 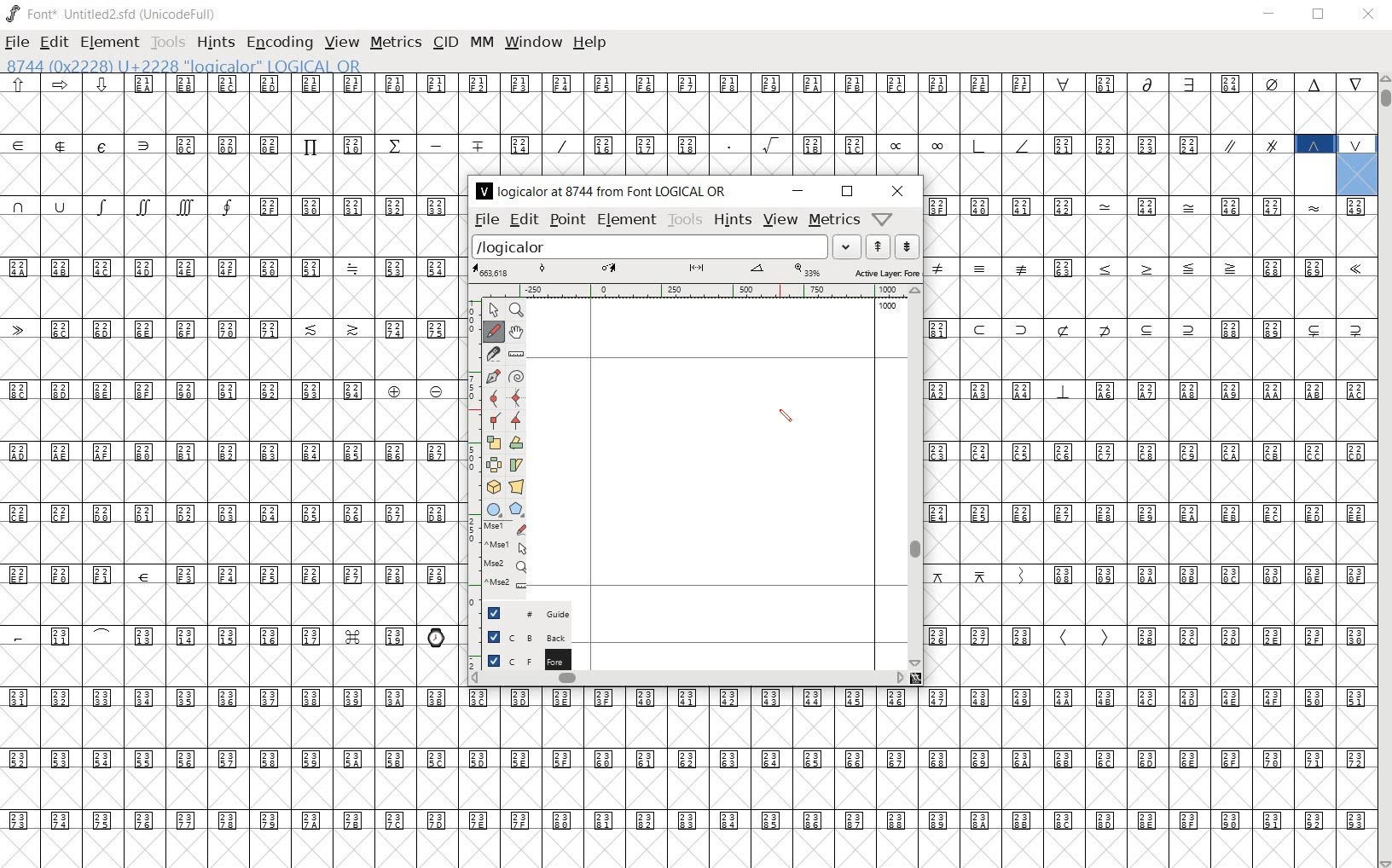 What do you see at coordinates (500, 558) in the screenshot?
I see `mse1 mse1 mse2 mse2` at bounding box center [500, 558].